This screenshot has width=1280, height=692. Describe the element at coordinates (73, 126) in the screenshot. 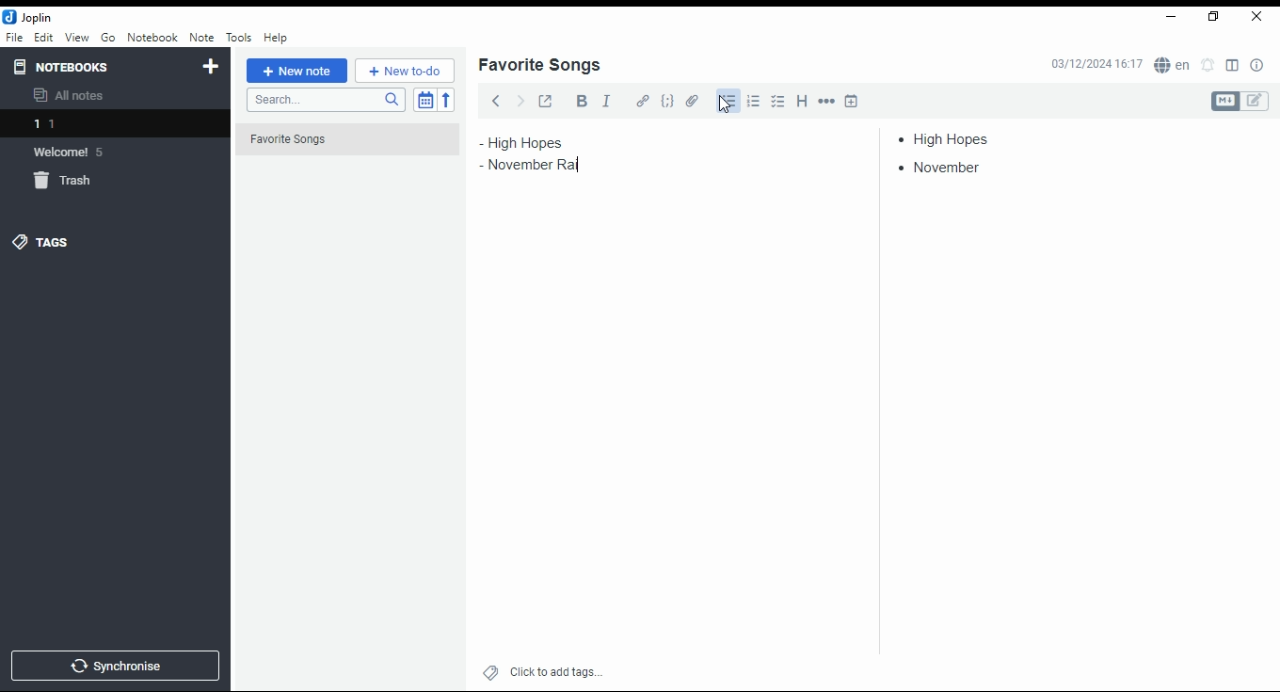

I see `notebook 1` at that location.